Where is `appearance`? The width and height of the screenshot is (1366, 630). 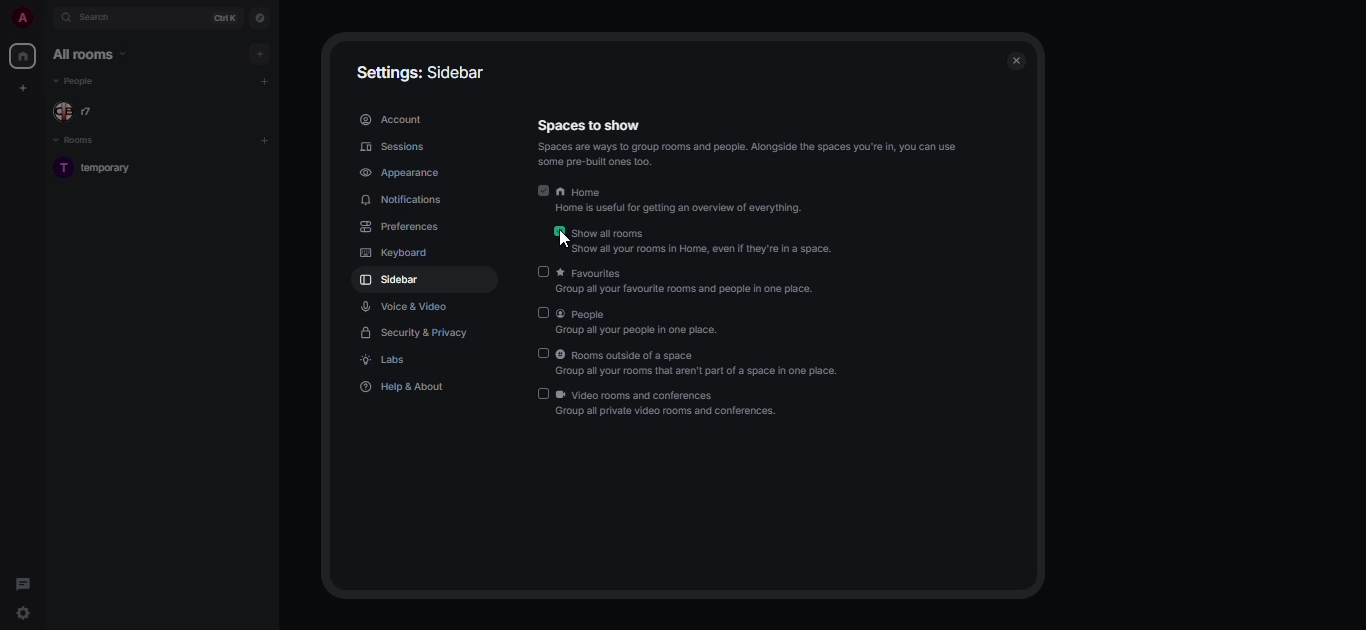
appearance is located at coordinates (403, 174).